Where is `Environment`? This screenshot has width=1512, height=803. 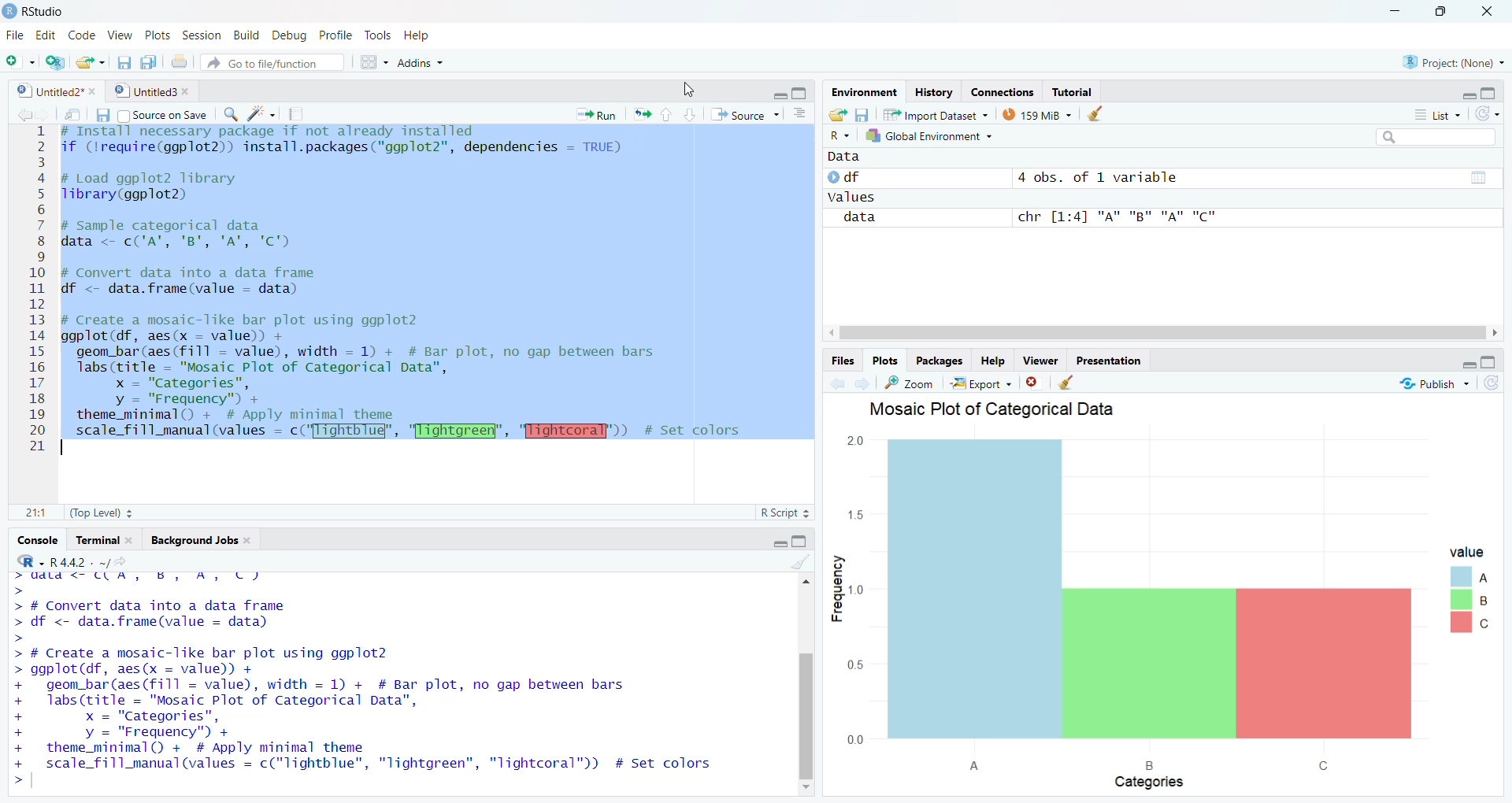 Environment is located at coordinates (866, 93).